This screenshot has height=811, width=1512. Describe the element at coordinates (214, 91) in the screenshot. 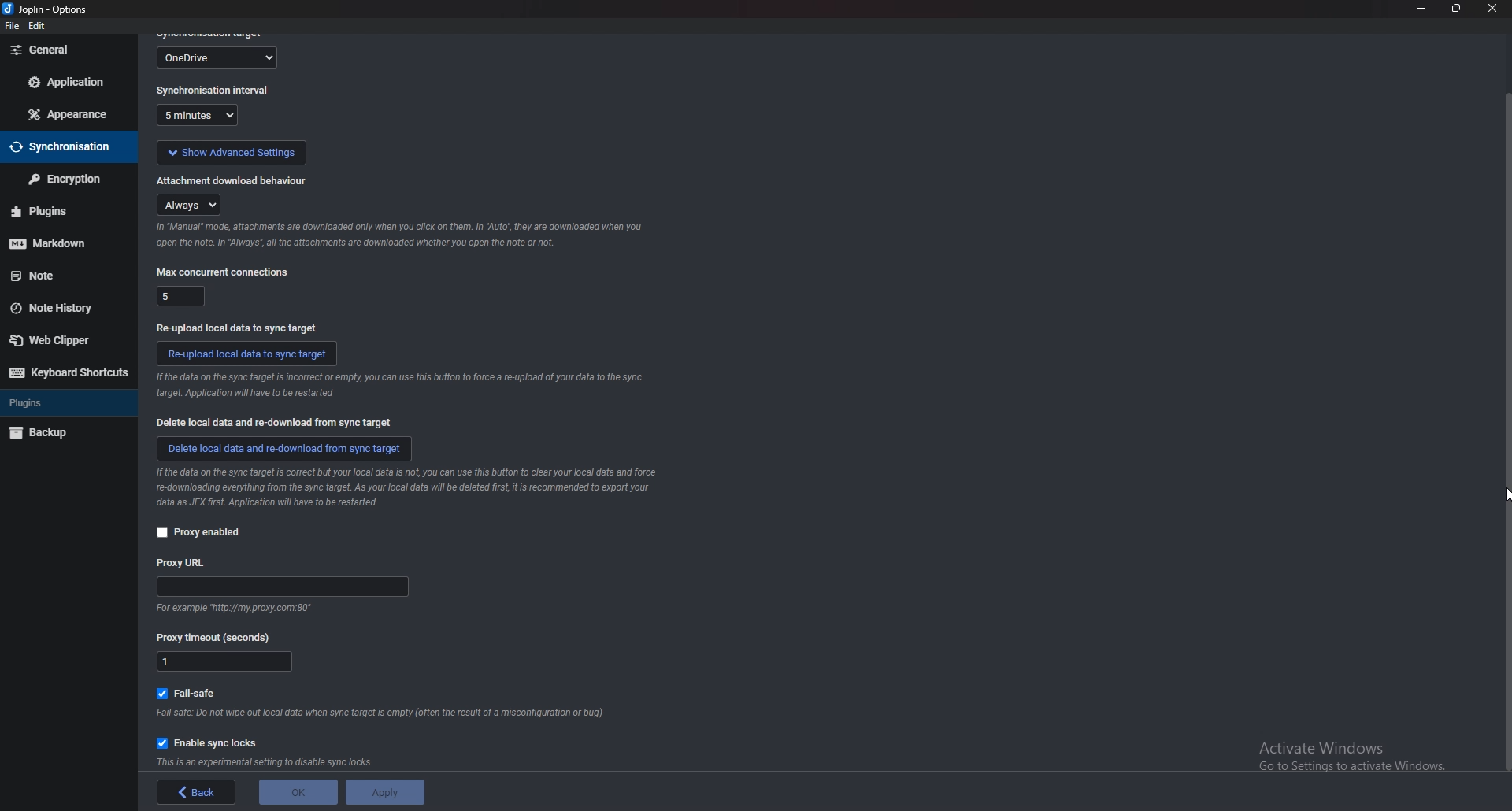

I see `sync interval` at that location.